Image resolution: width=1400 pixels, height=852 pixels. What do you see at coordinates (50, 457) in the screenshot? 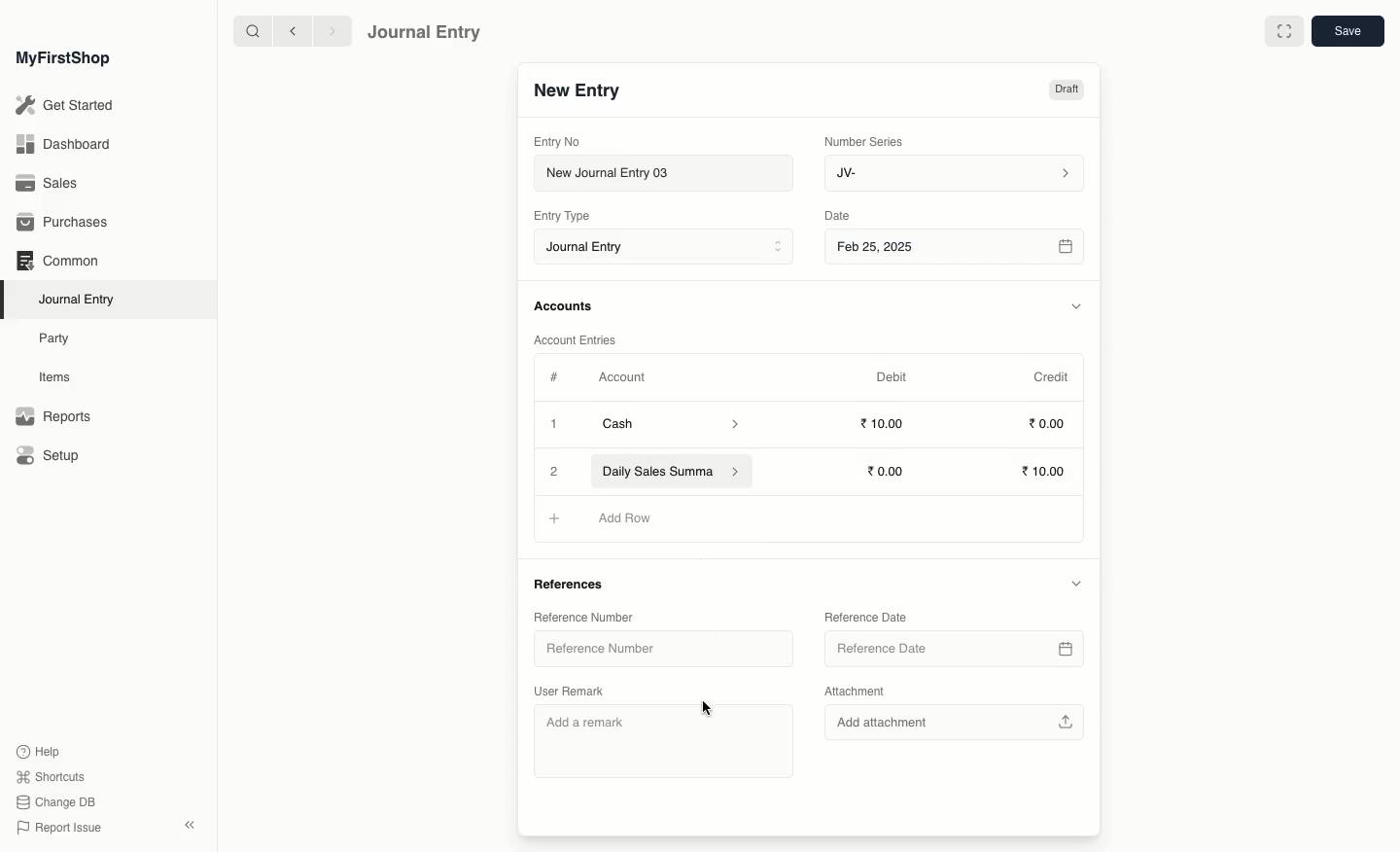
I see `Setup` at bounding box center [50, 457].